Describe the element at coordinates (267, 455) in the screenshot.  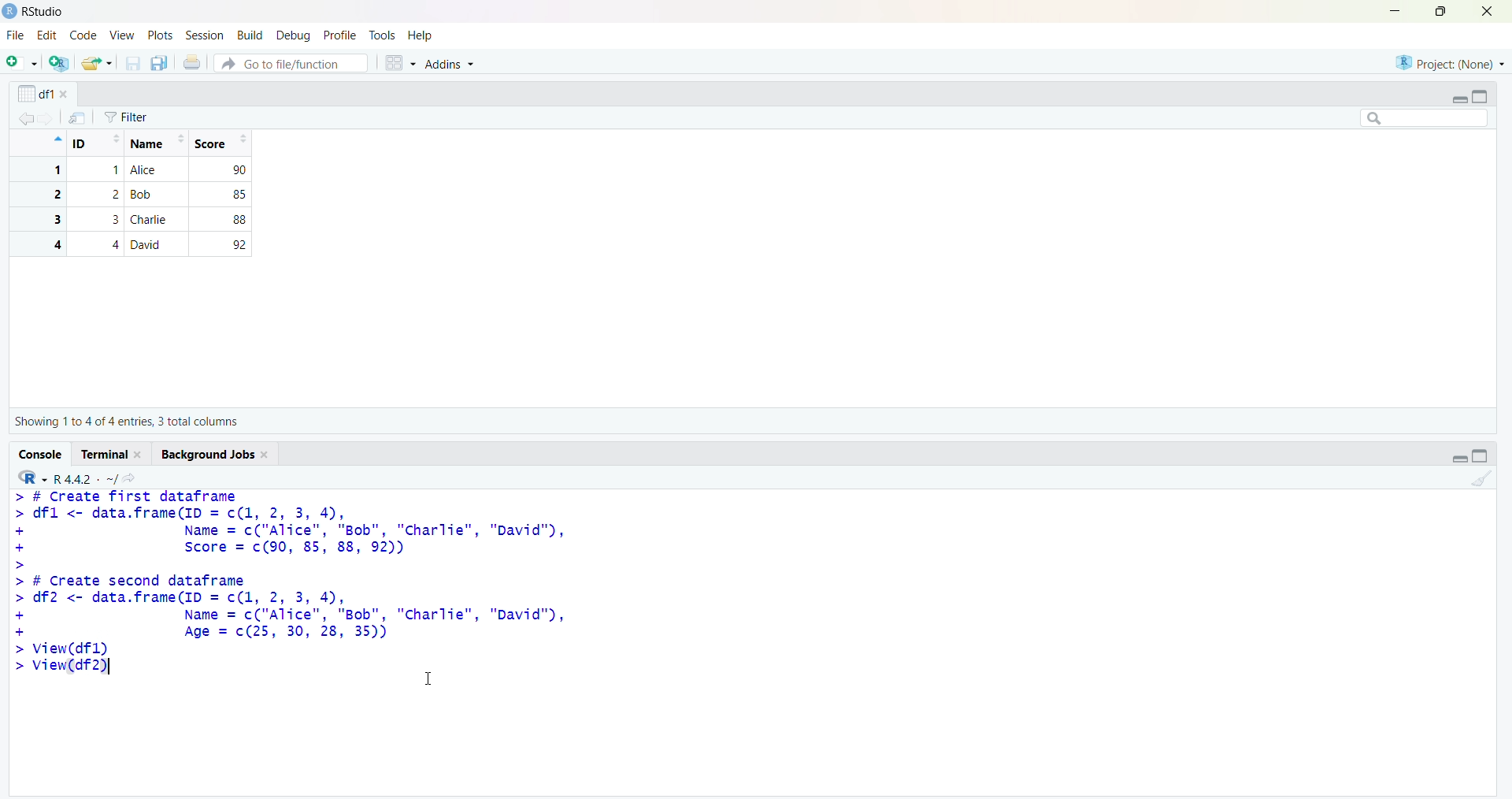
I see `close` at that location.